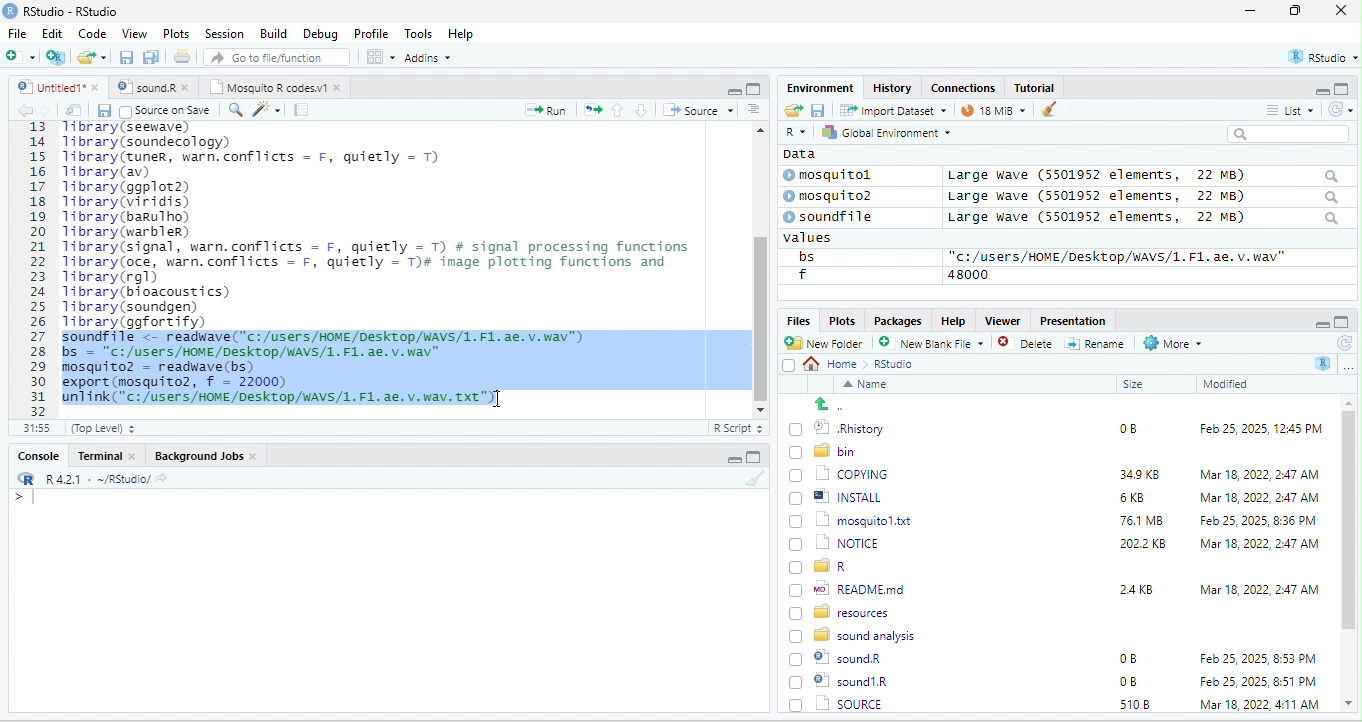 The image size is (1362, 722). I want to click on | SOURCE, so click(848, 681).